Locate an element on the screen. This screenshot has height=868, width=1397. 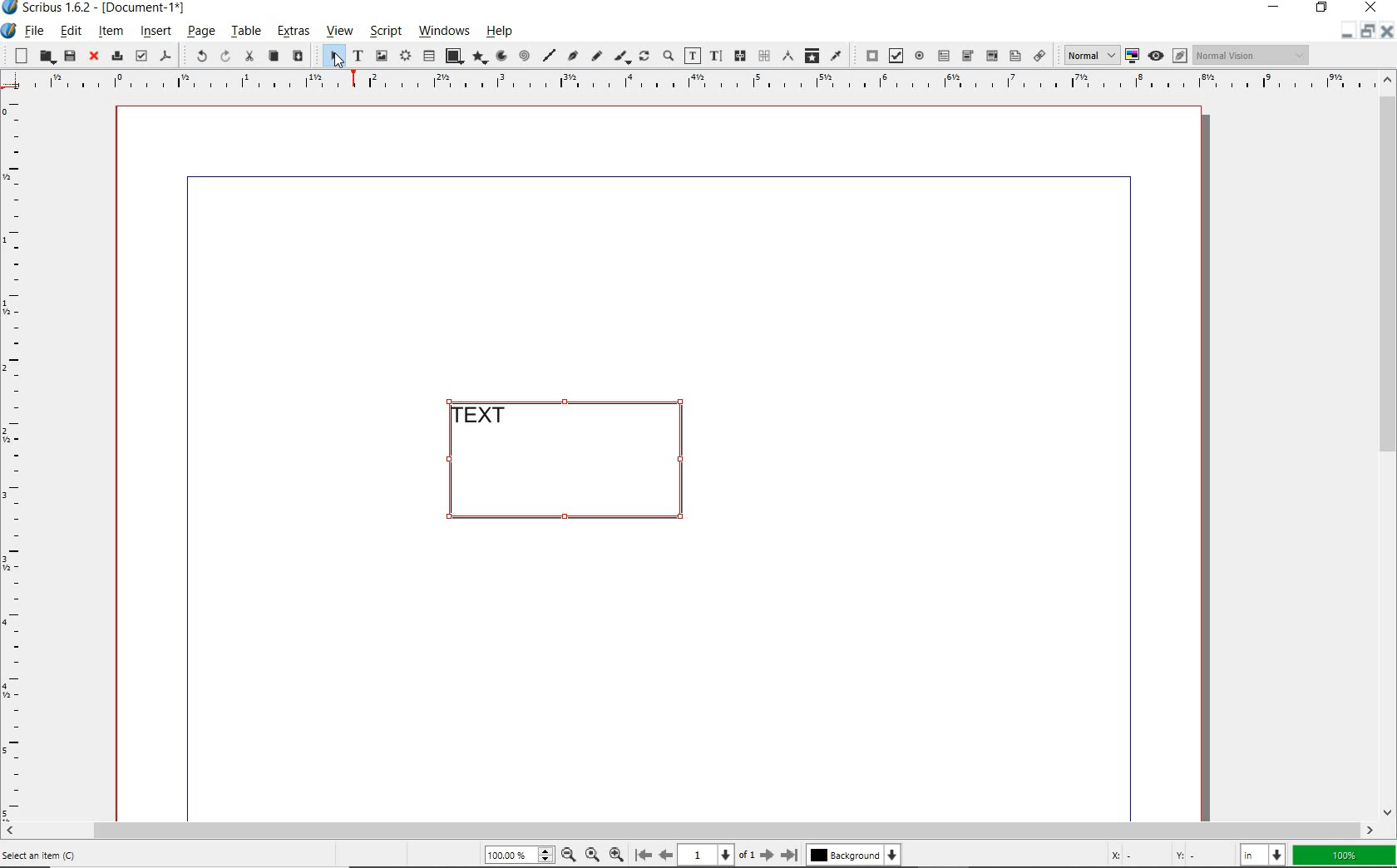
insert is located at coordinates (154, 31).